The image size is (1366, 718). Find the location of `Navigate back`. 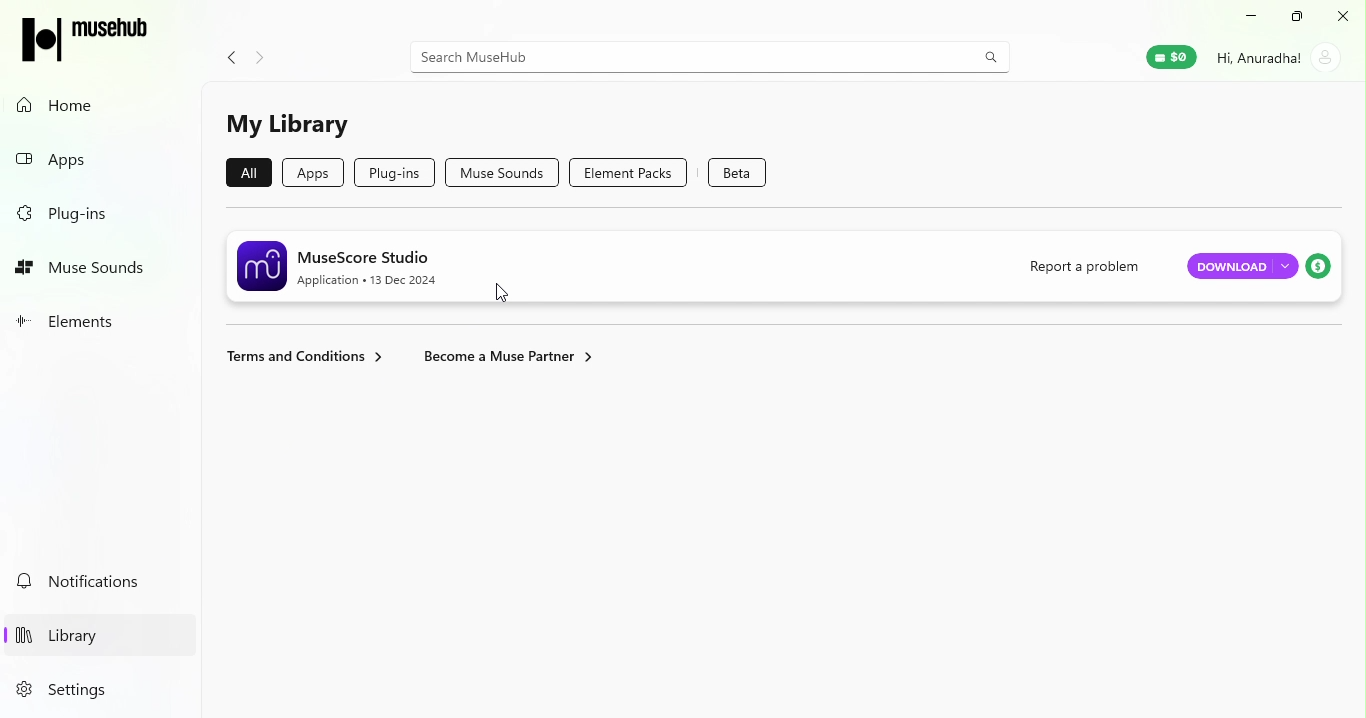

Navigate back is located at coordinates (226, 54).